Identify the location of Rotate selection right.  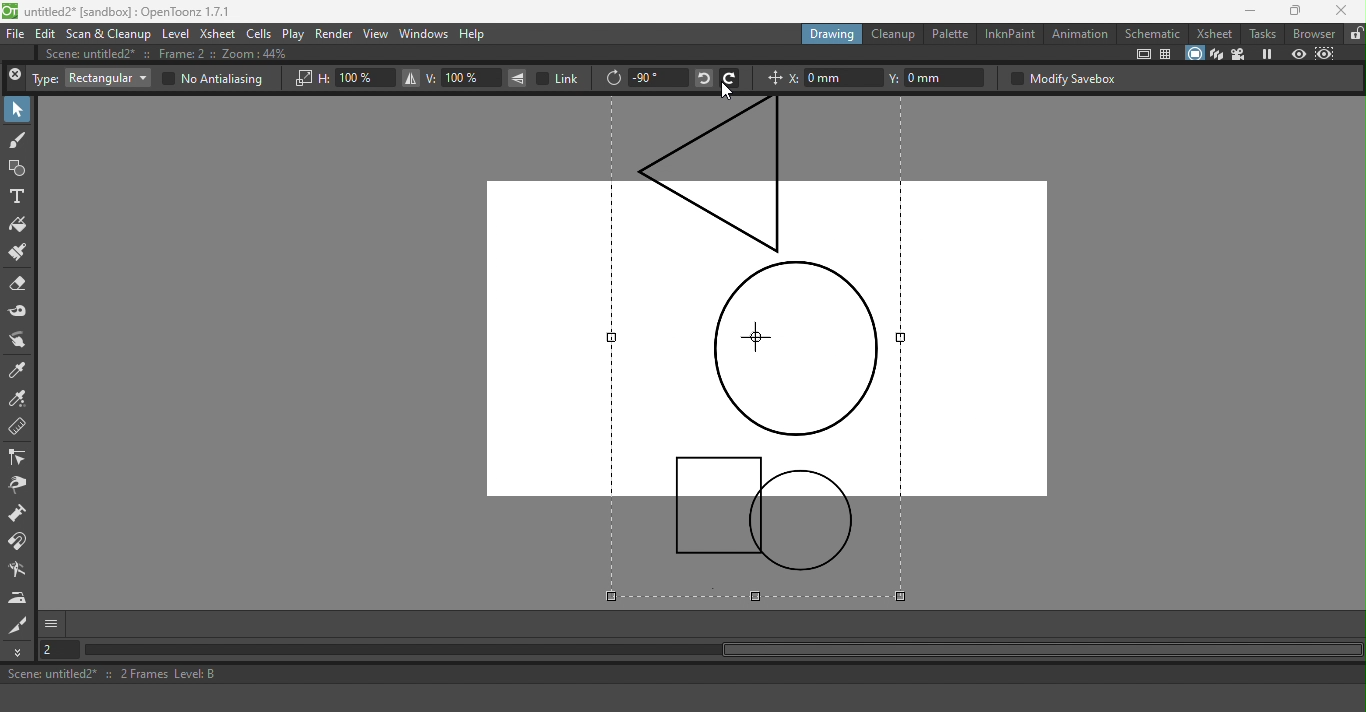
(730, 77).